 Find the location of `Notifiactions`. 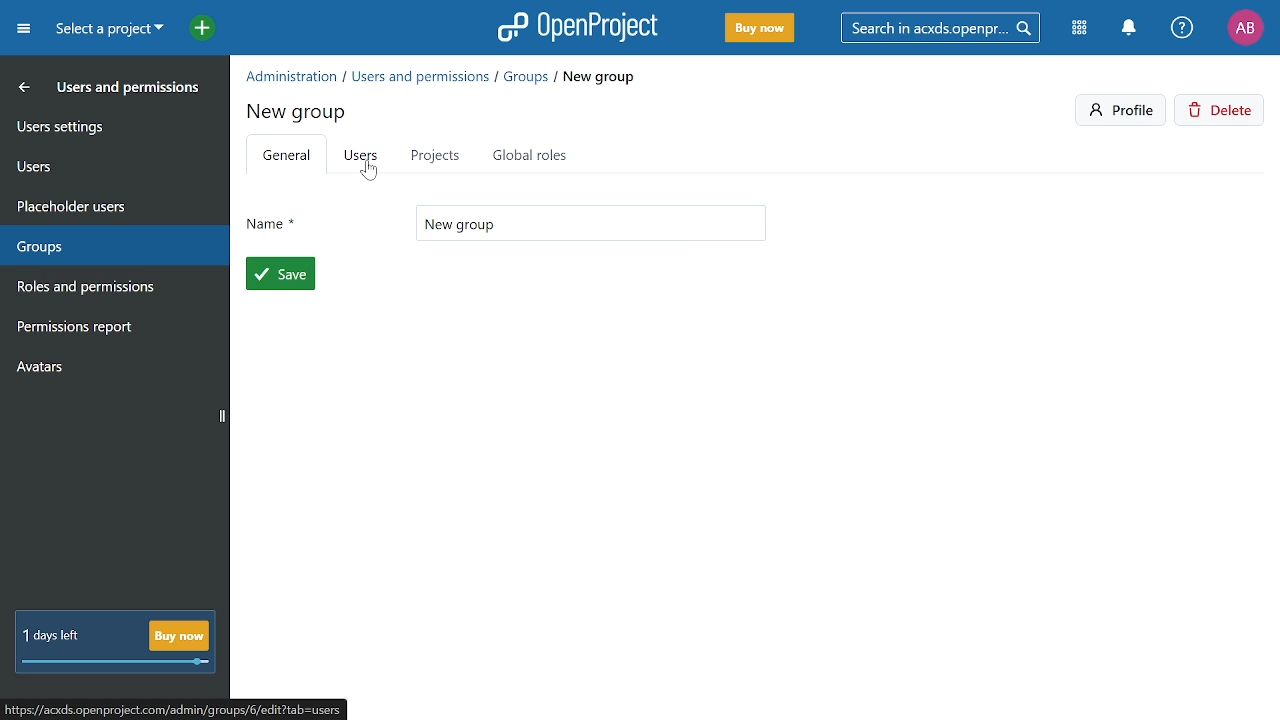

Notifiactions is located at coordinates (1134, 29).